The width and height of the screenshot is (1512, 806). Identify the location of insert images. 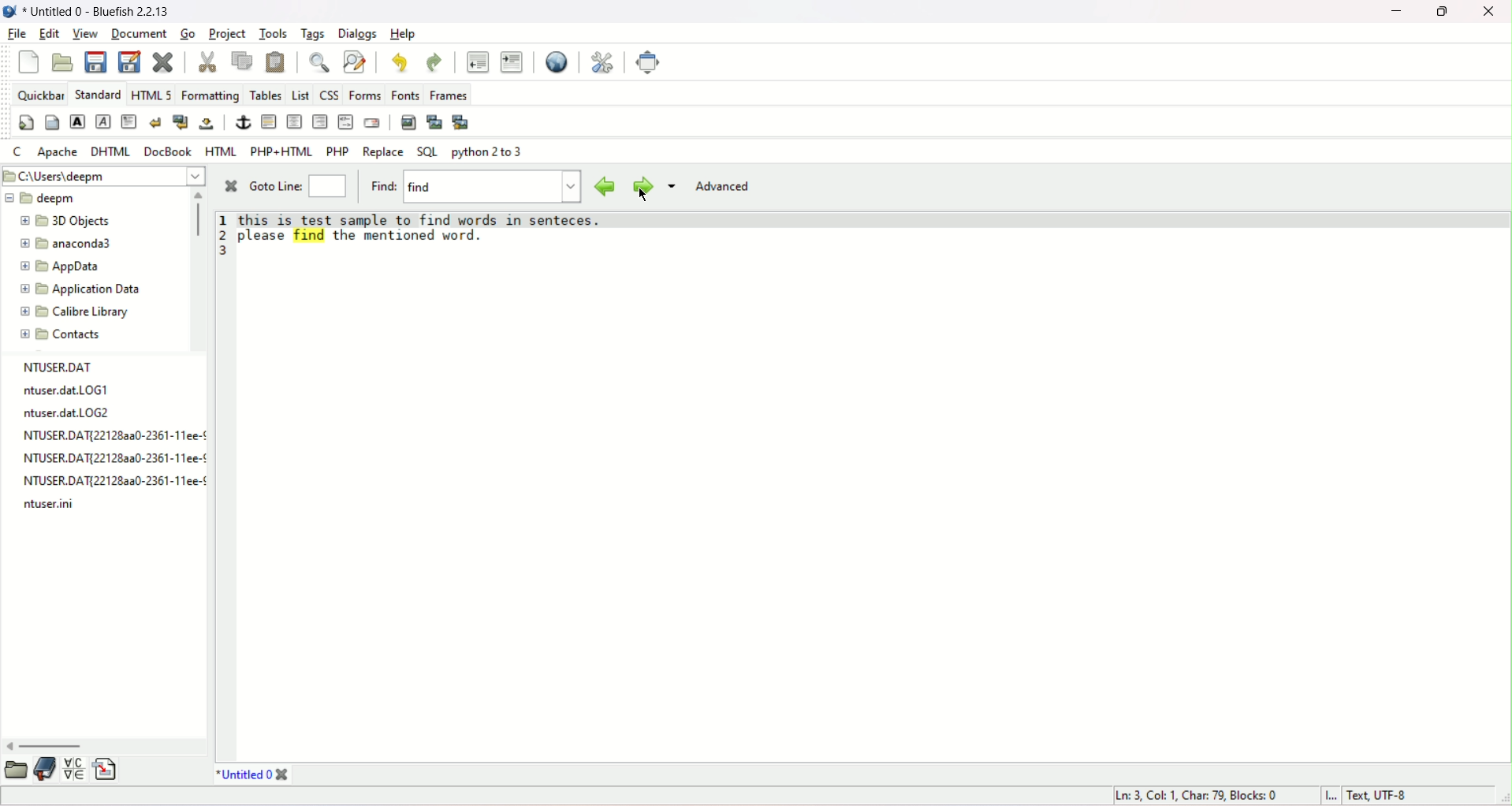
(410, 121).